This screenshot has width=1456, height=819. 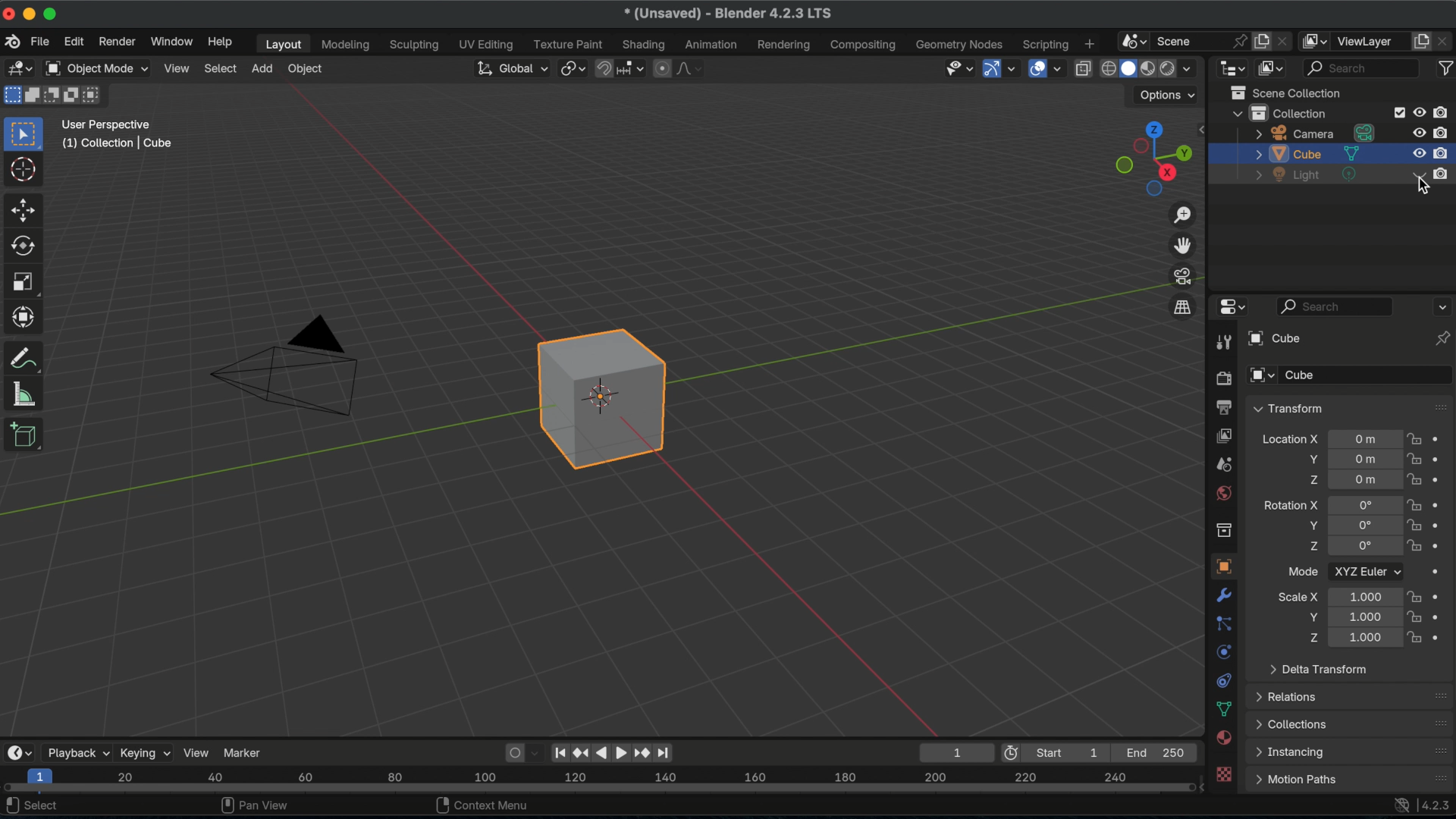 What do you see at coordinates (1439, 723) in the screenshot?
I see `drag handle` at bounding box center [1439, 723].